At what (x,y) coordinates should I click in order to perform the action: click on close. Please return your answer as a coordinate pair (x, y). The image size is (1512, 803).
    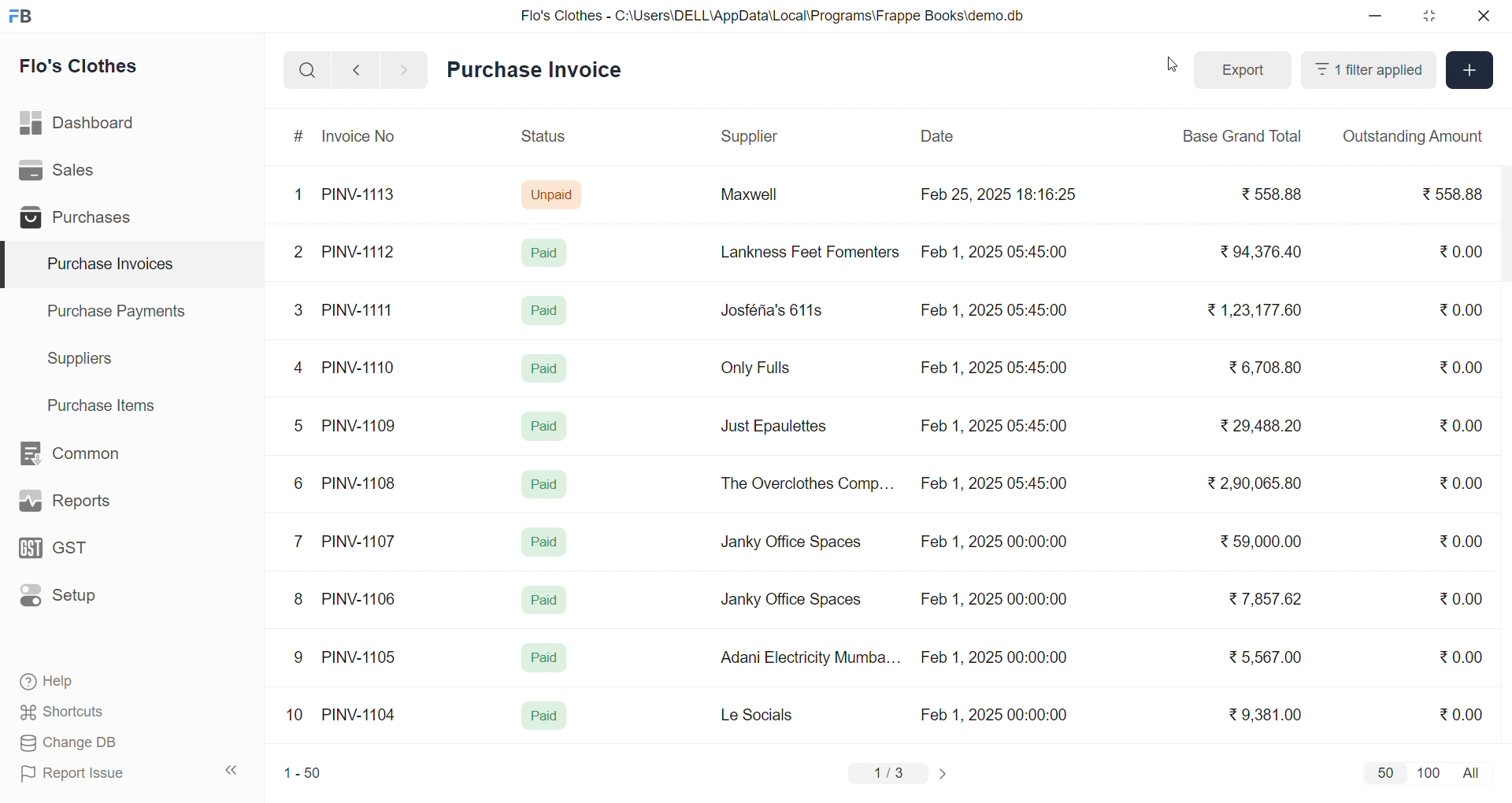
    Looking at the image, I should click on (1482, 16).